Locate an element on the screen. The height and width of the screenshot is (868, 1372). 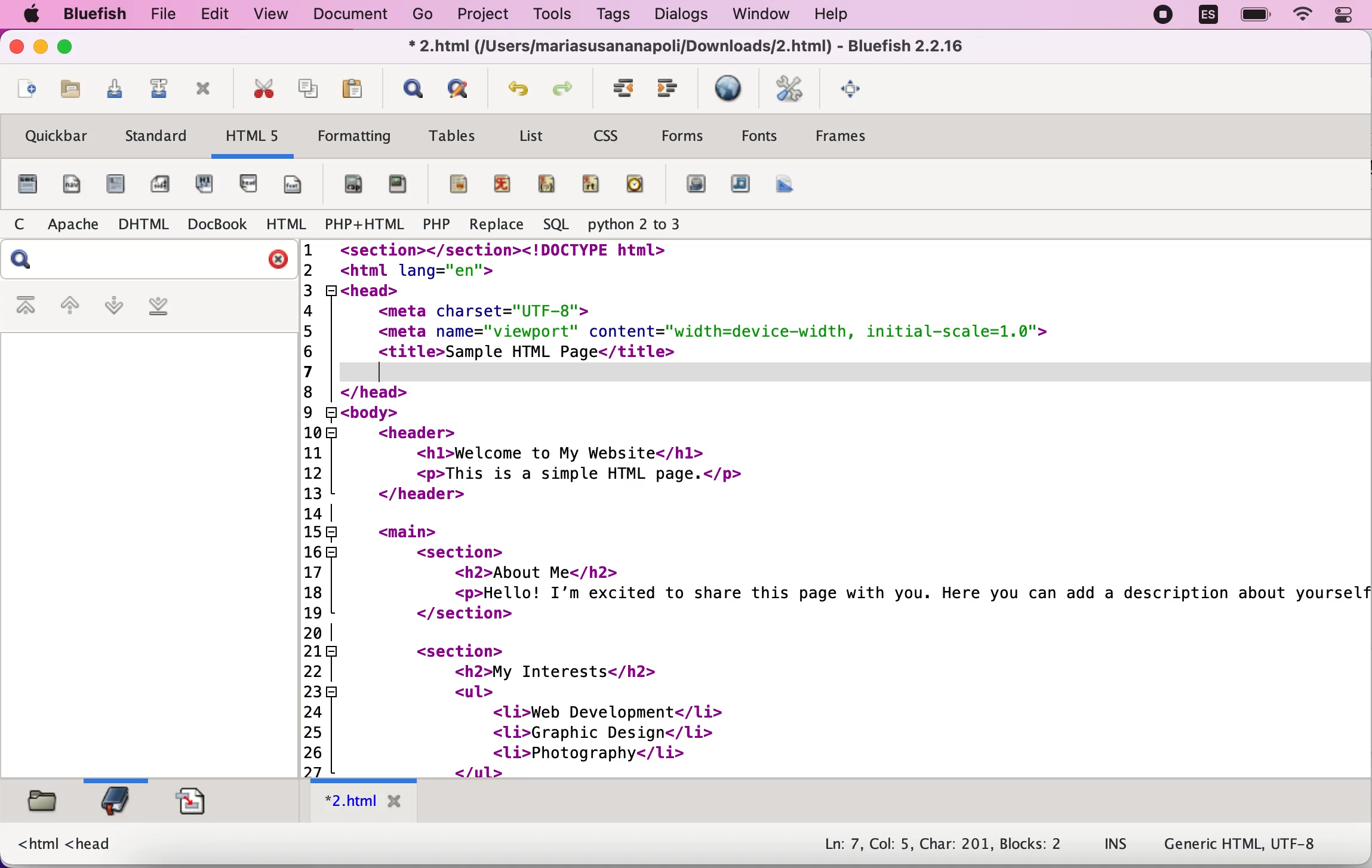
minimize is located at coordinates (41, 49).